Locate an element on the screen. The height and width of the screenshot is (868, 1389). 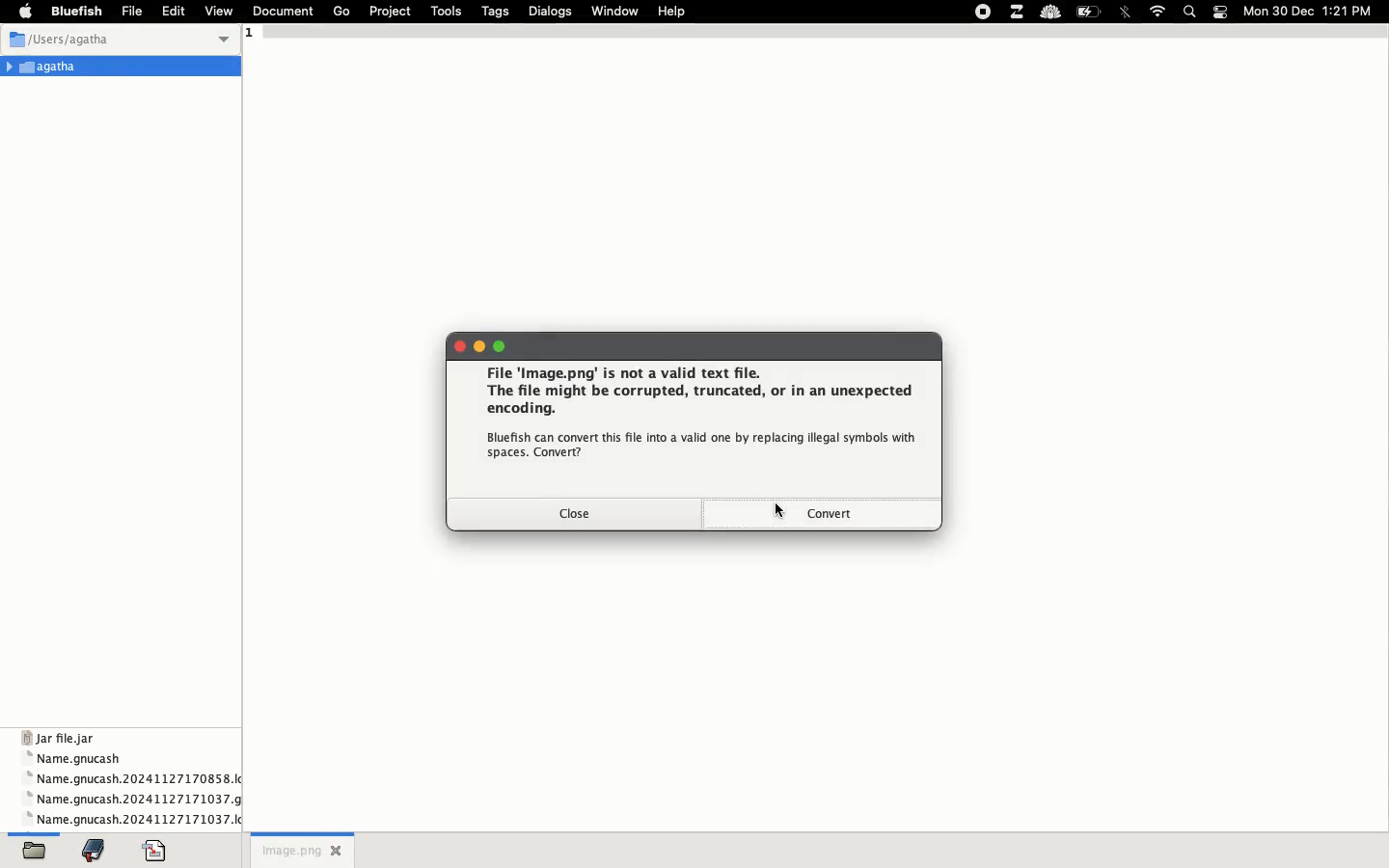
view is located at coordinates (221, 13).